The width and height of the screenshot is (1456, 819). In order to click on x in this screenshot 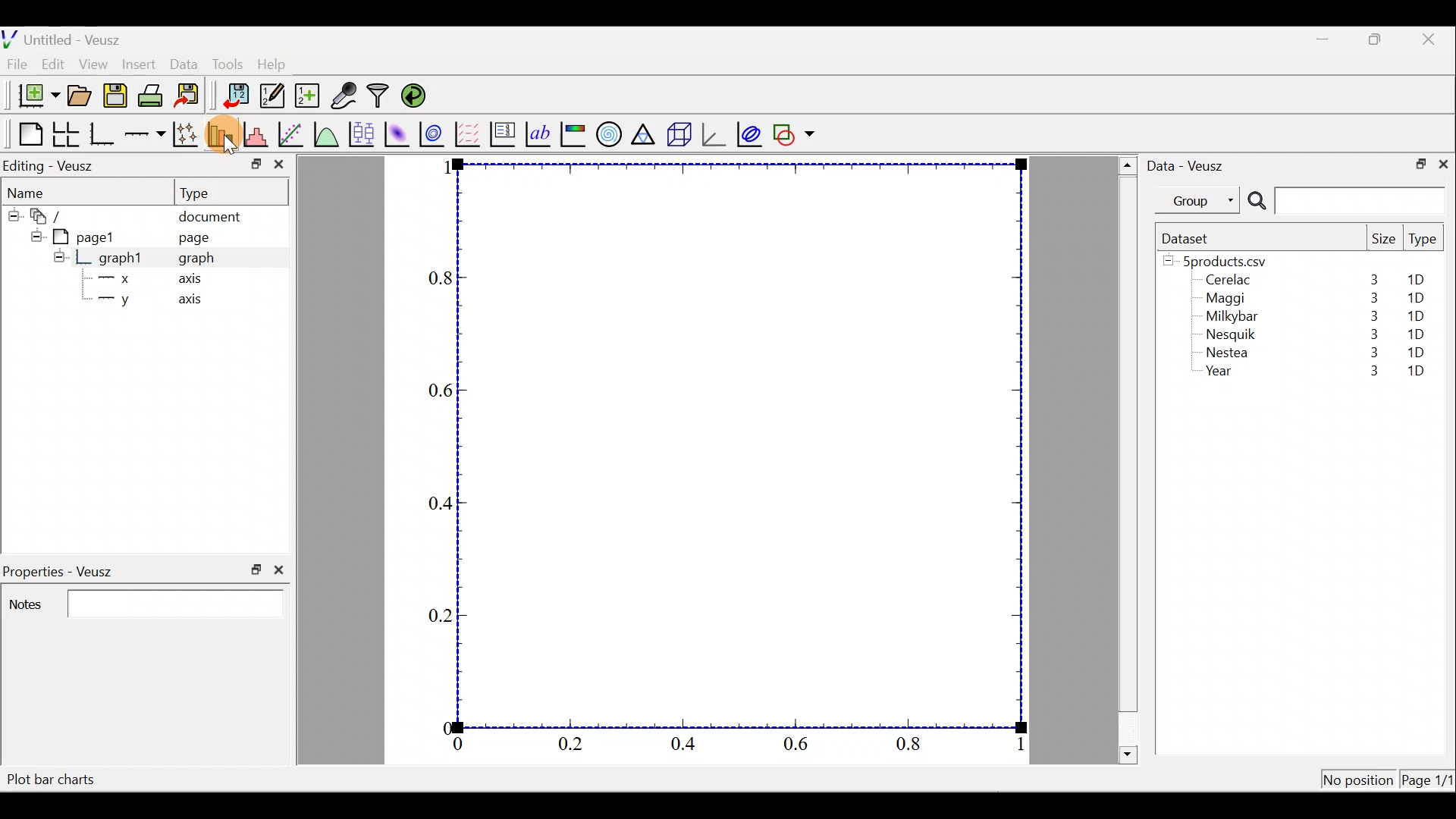, I will do `click(118, 278)`.